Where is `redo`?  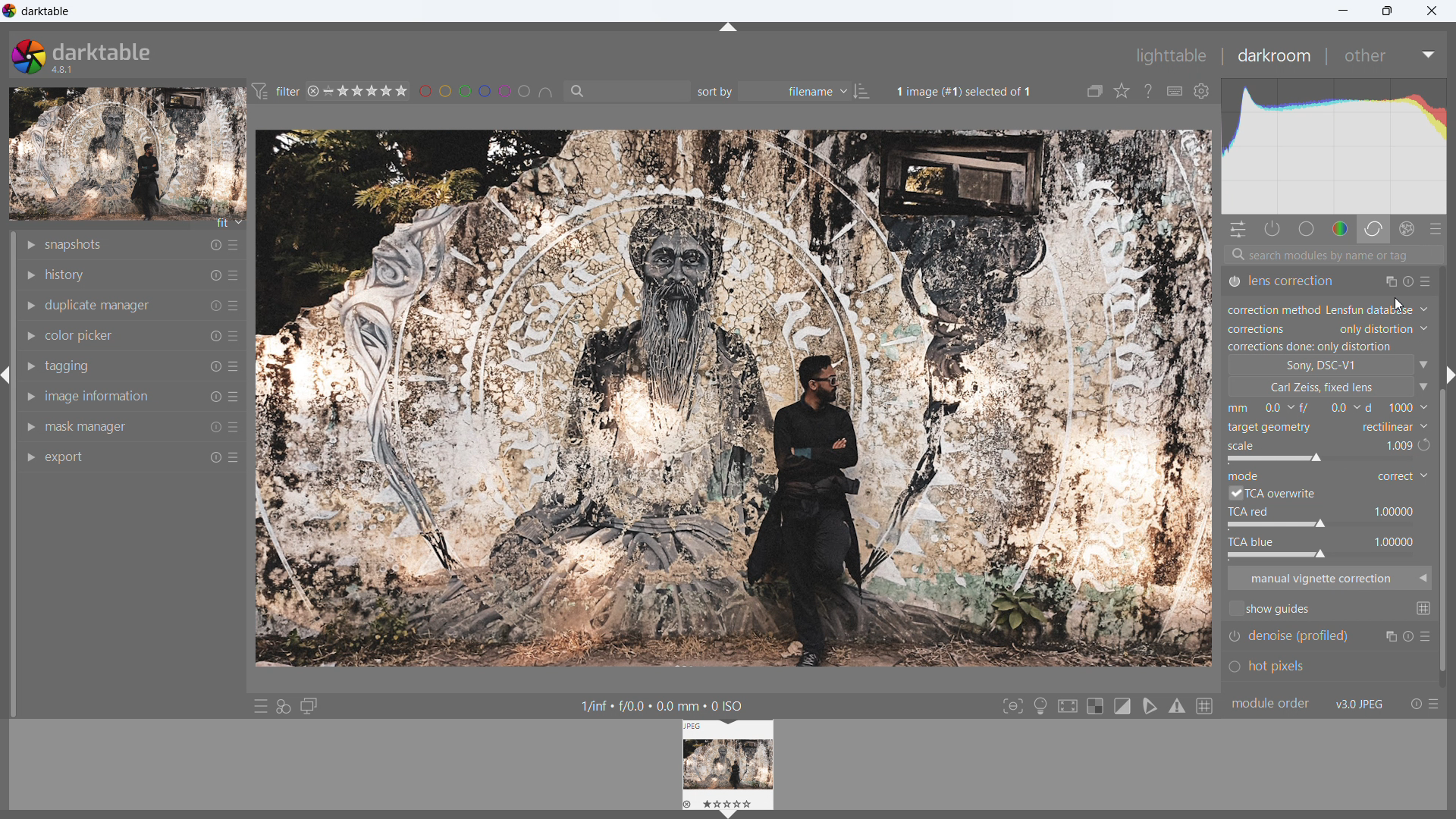
redo is located at coordinates (1423, 447).